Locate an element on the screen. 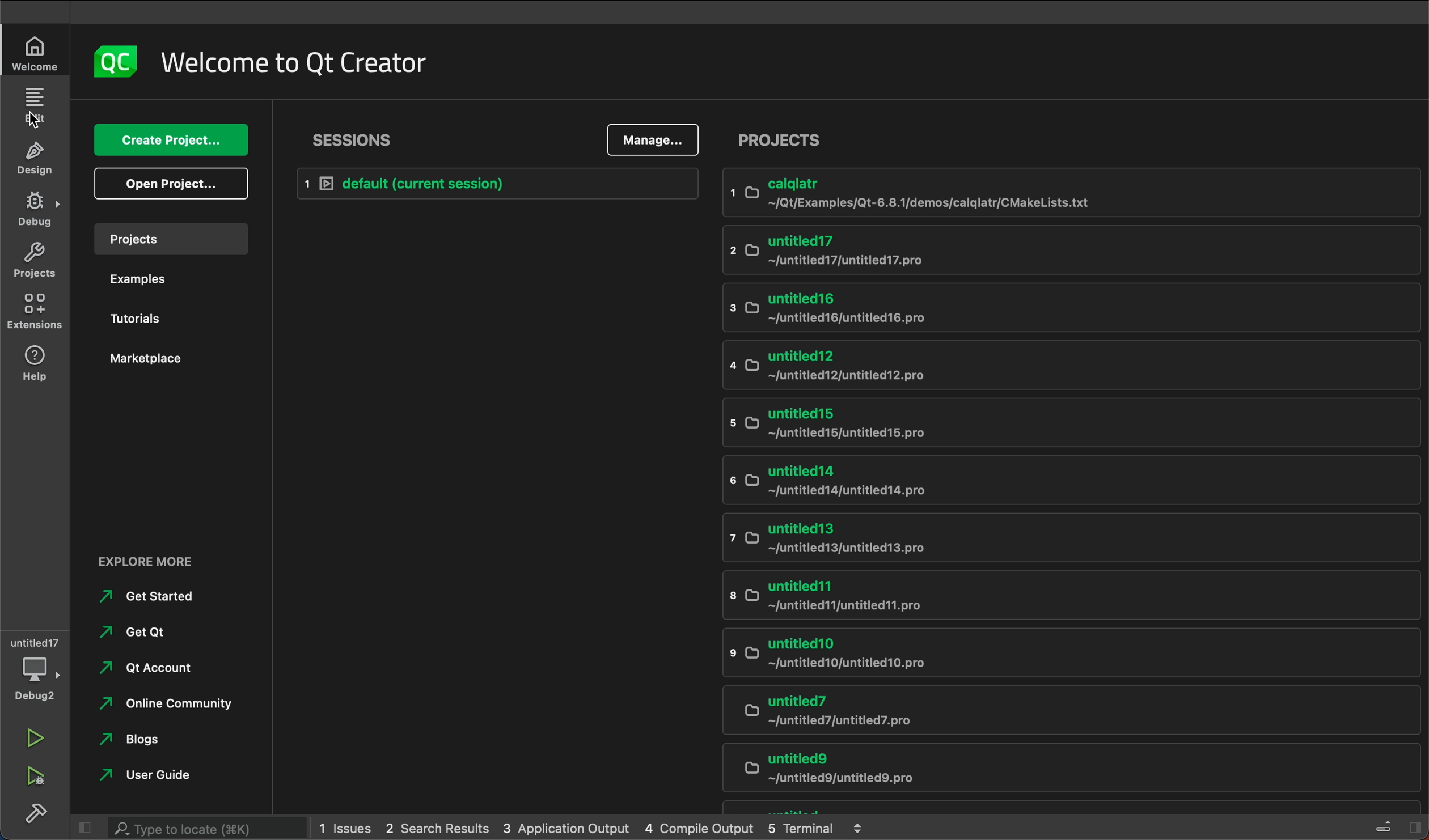  cursor is located at coordinates (35, 120).